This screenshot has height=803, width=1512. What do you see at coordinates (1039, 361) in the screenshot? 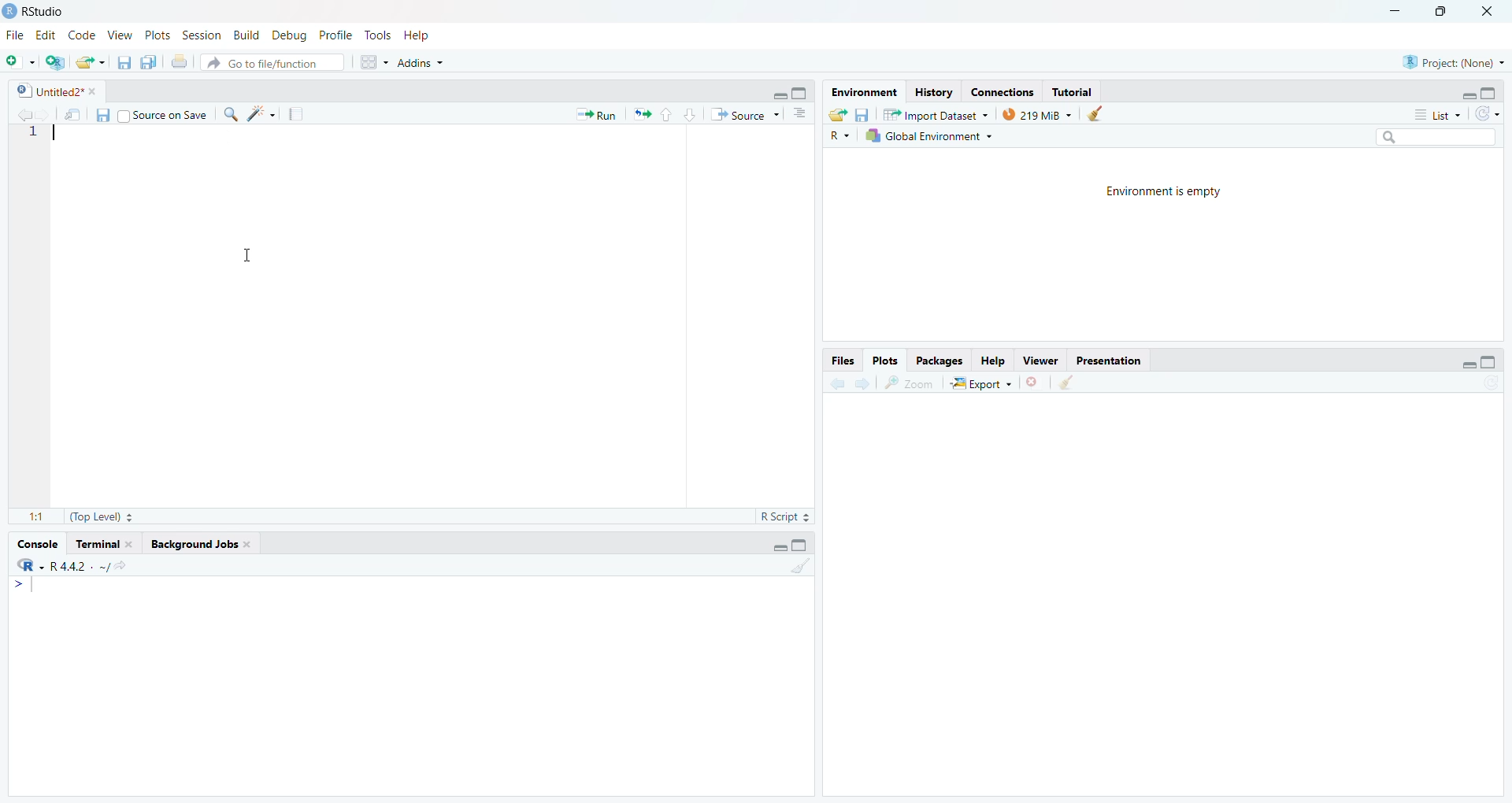
I see `Viewer` at bounding box center [1039, 361].